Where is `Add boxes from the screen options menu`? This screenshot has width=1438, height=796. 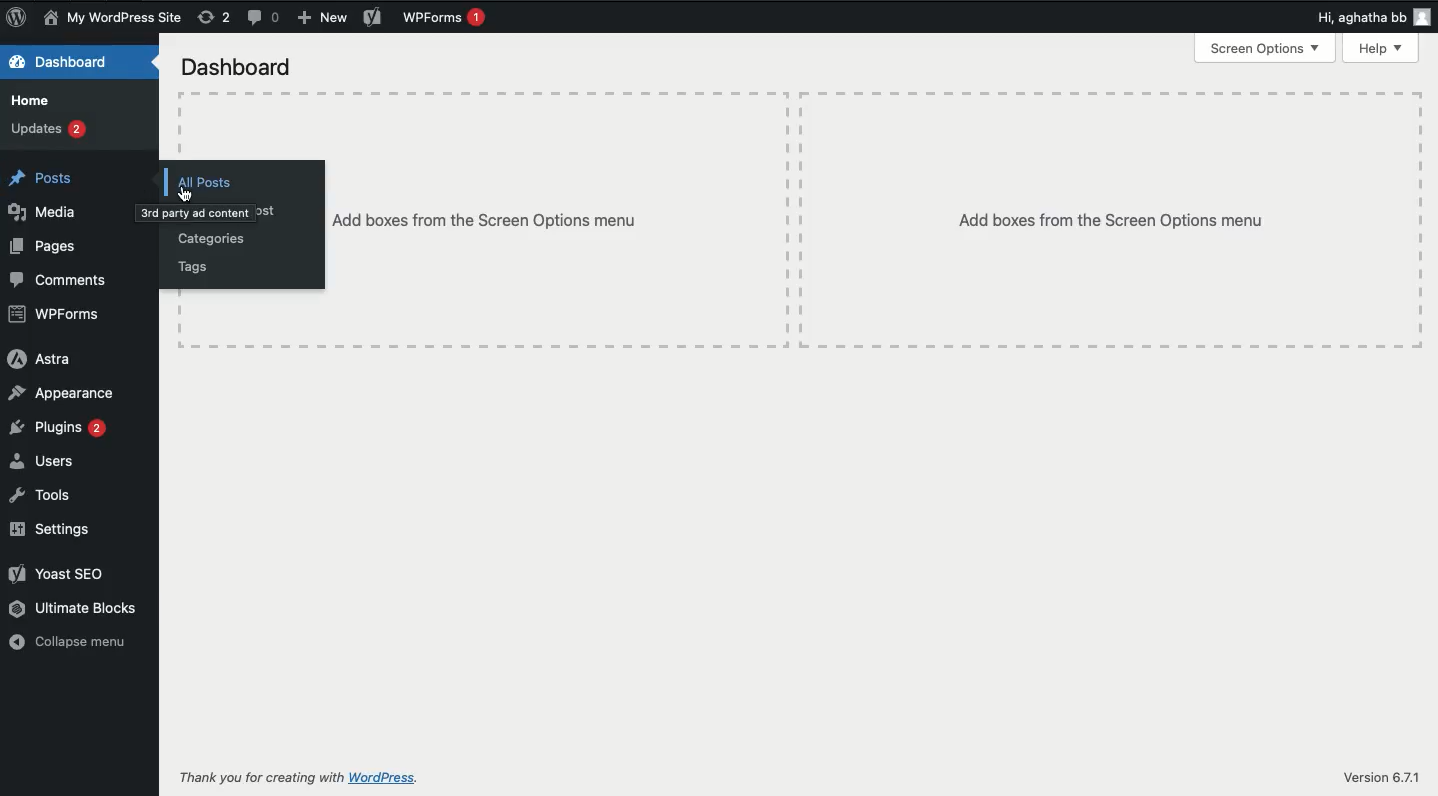
Add boxes from the screen options menu is located at coordinates (1113, 220).